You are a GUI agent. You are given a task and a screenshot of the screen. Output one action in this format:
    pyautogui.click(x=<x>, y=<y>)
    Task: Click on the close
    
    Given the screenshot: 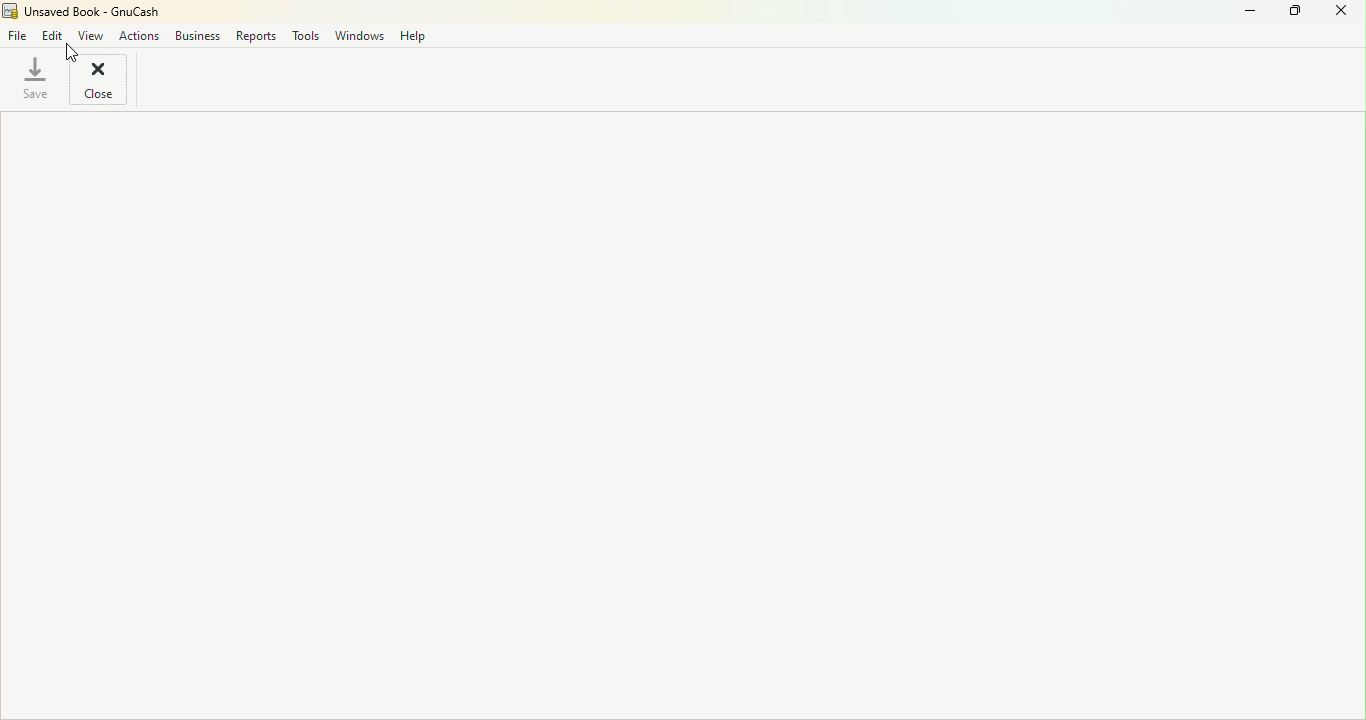 What is the action you would take?
    pyautogui.click(x=101, y=80)
    